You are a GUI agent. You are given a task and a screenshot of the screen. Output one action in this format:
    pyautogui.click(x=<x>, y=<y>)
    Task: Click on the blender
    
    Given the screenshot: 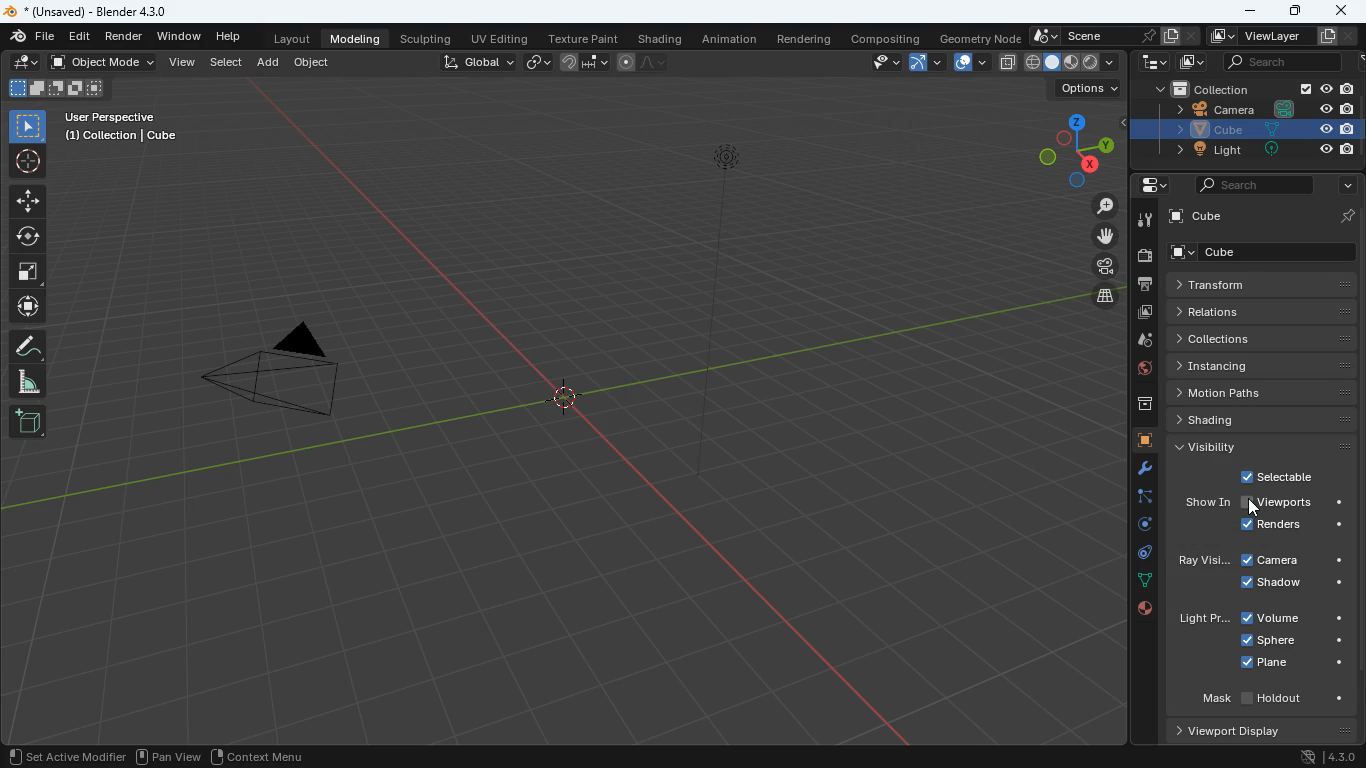 What is the action you would take?
    pyautogui.click(x=112, y=10)
    